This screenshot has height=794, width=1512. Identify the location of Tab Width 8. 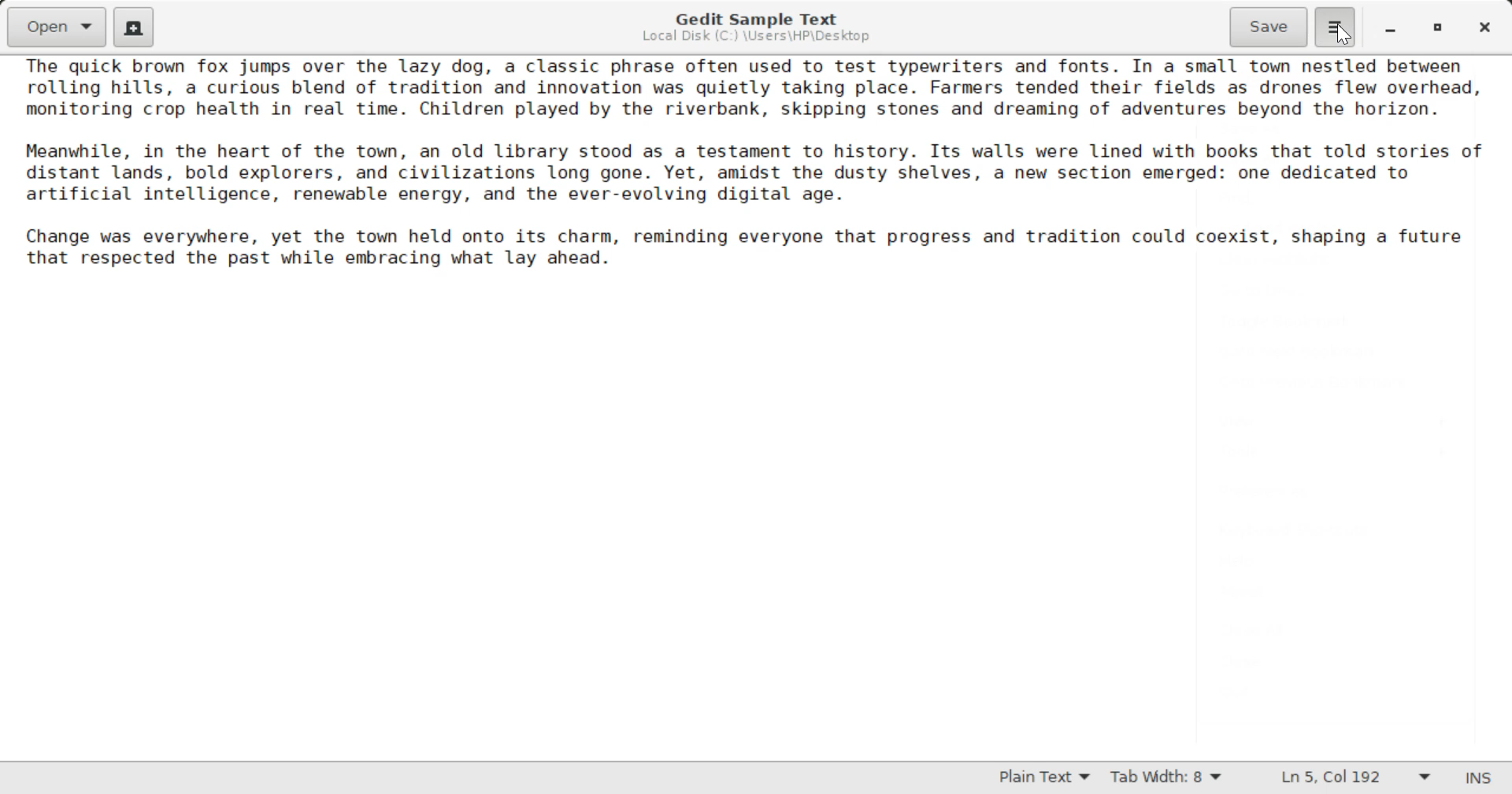
(1163, 779).